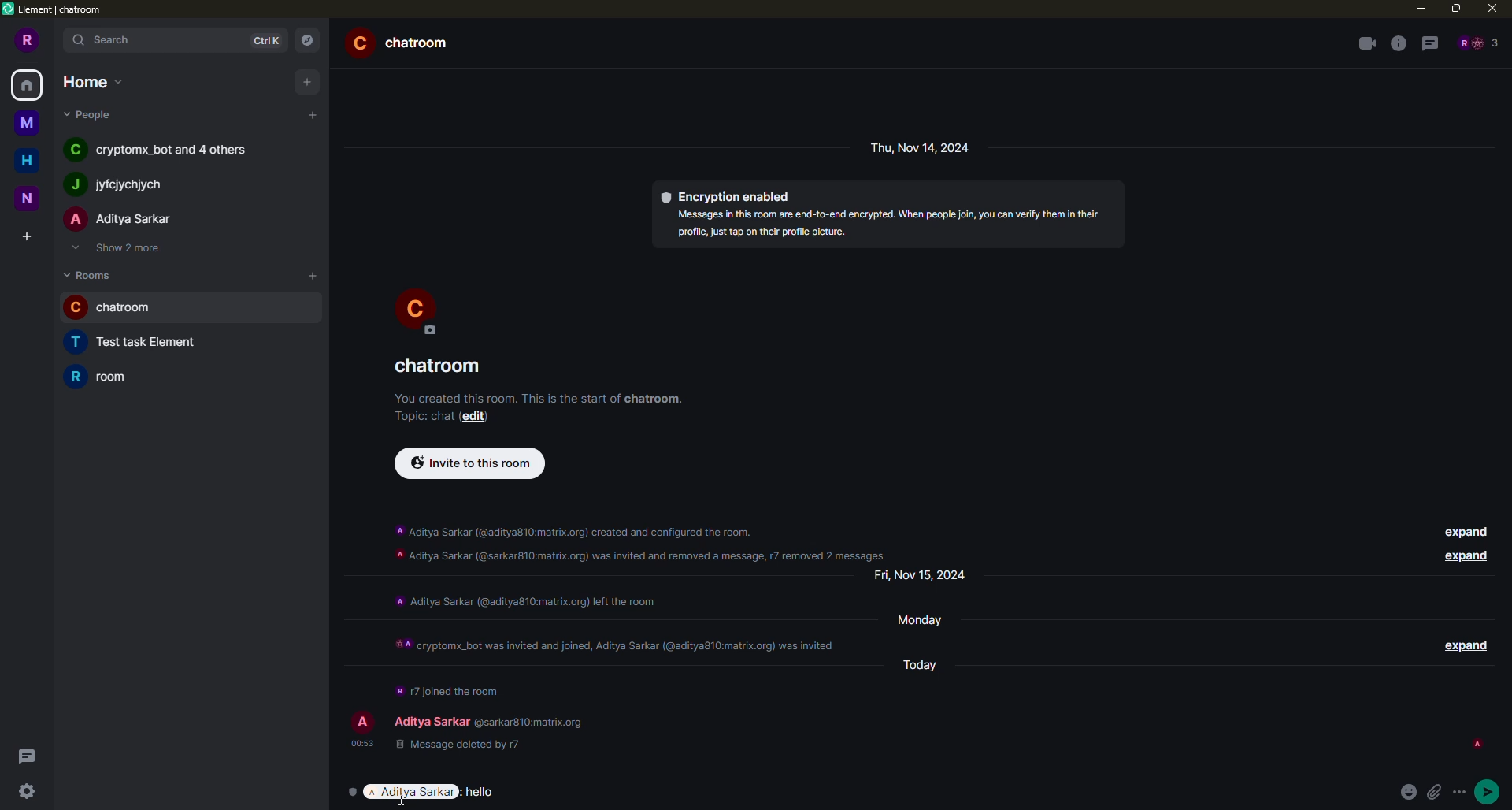 This screenshot has height=810, width=1512. What do you see at coordinates (31, 199) in the screenshot?
I see `space` at bounding box center [31, 199].